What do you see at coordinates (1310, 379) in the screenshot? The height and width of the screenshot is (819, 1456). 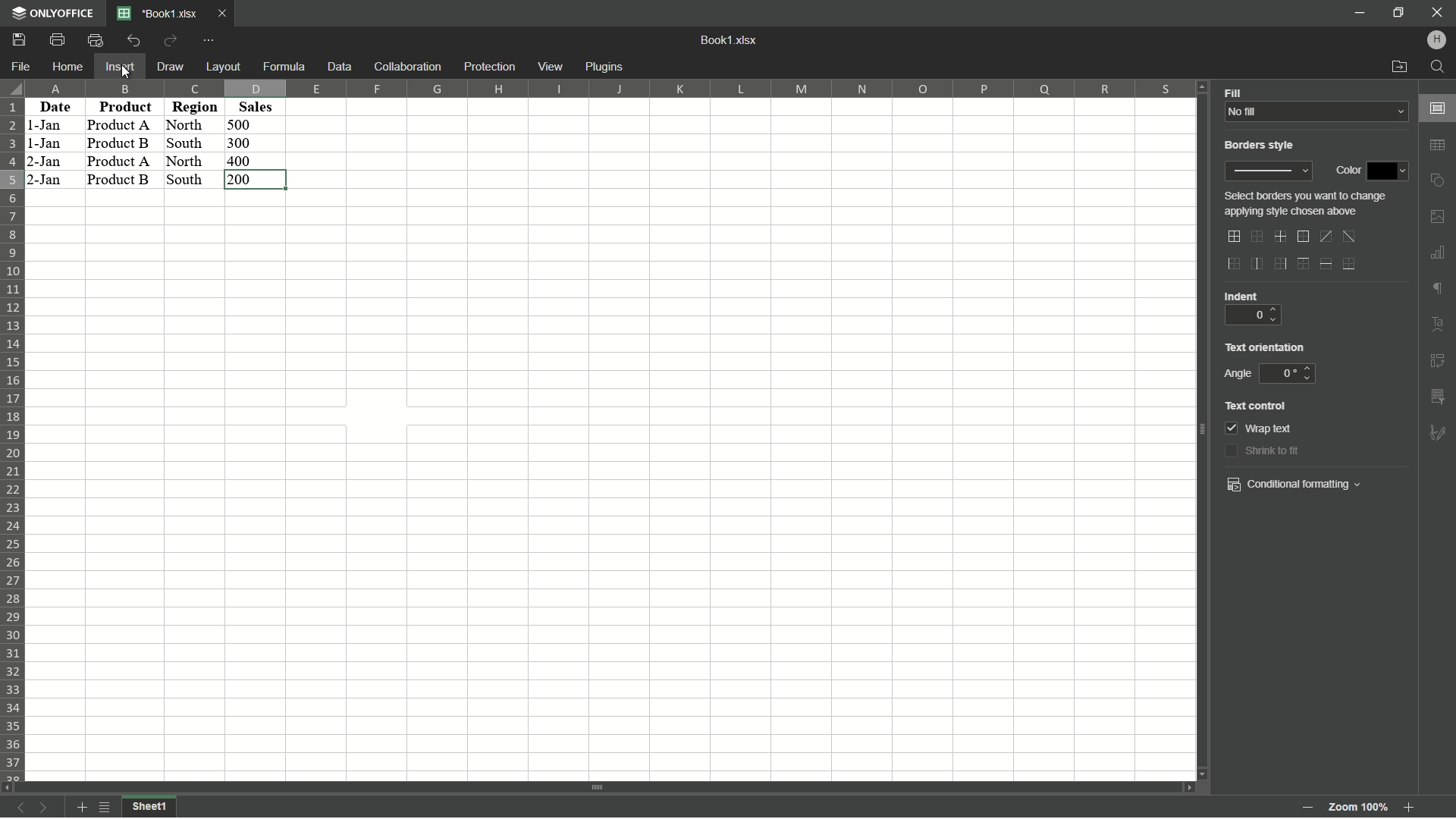 I see `down` at bounding box center [1310, 379].